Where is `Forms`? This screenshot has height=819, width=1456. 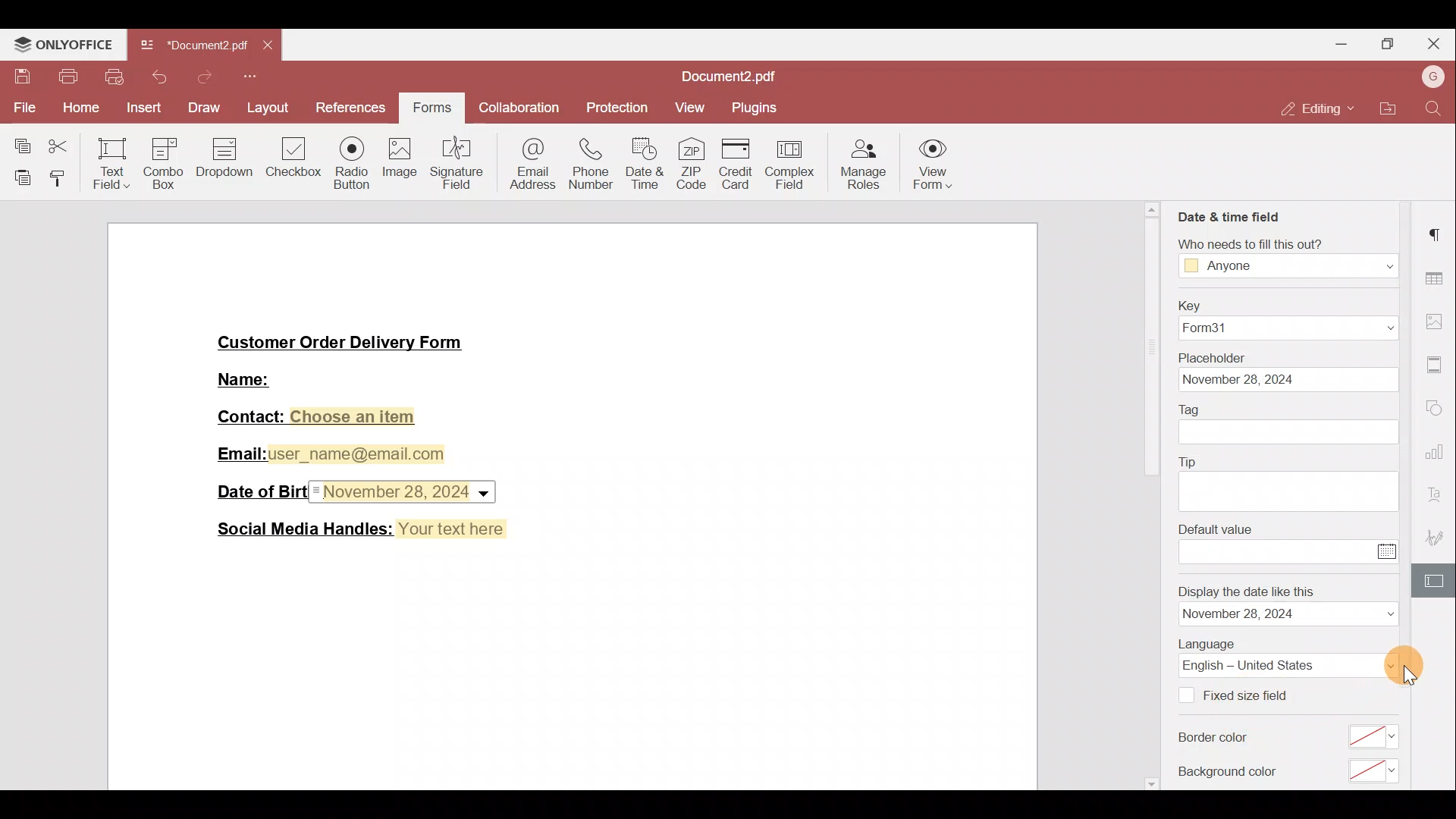
Forms is located at coordinates (430, 109).